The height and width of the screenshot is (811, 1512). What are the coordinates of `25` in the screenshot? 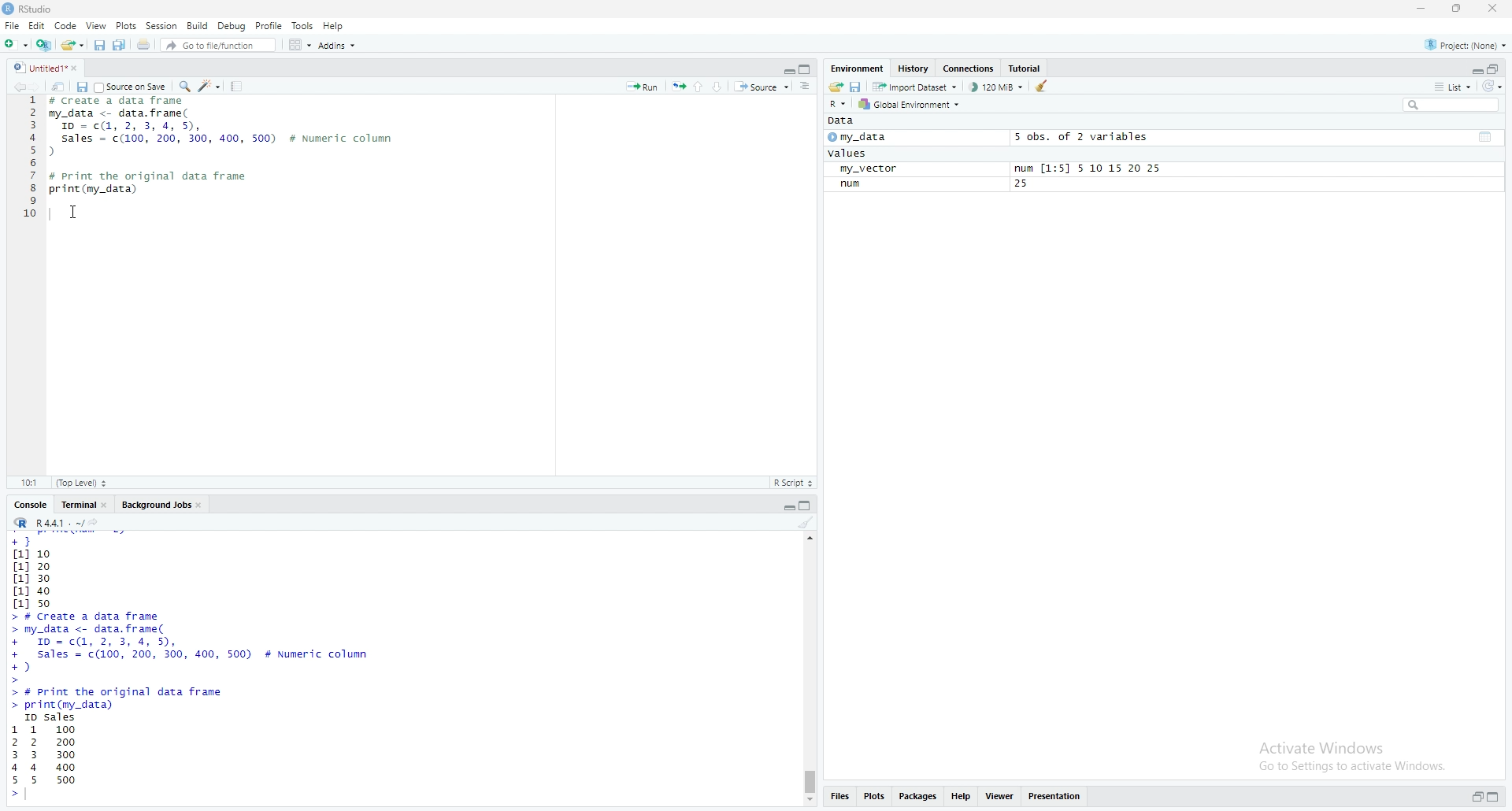 It's located at (1025, 185).